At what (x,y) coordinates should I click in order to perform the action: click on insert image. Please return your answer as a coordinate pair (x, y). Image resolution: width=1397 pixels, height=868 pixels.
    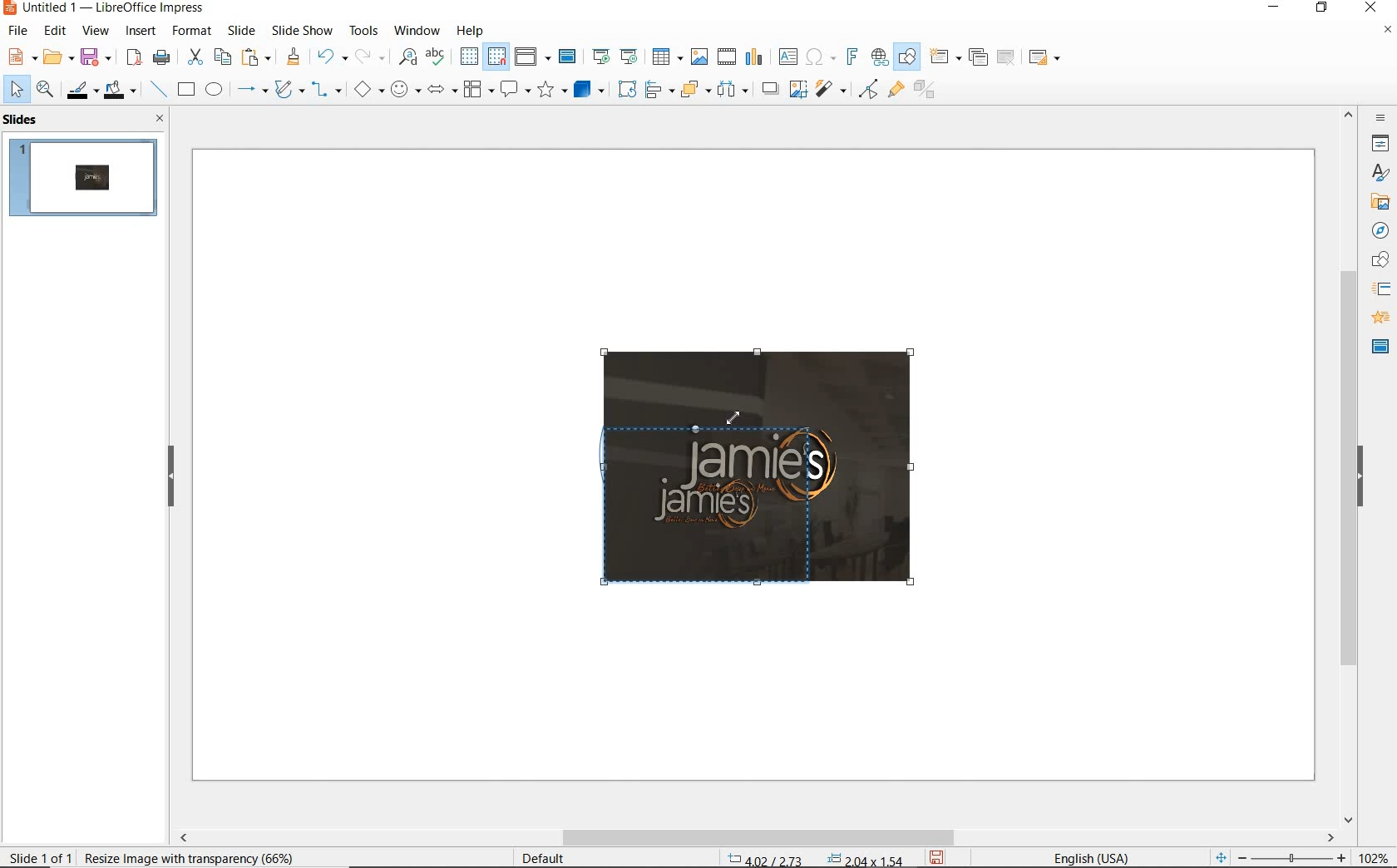
    Looking at the image, I should click on (698, 57).